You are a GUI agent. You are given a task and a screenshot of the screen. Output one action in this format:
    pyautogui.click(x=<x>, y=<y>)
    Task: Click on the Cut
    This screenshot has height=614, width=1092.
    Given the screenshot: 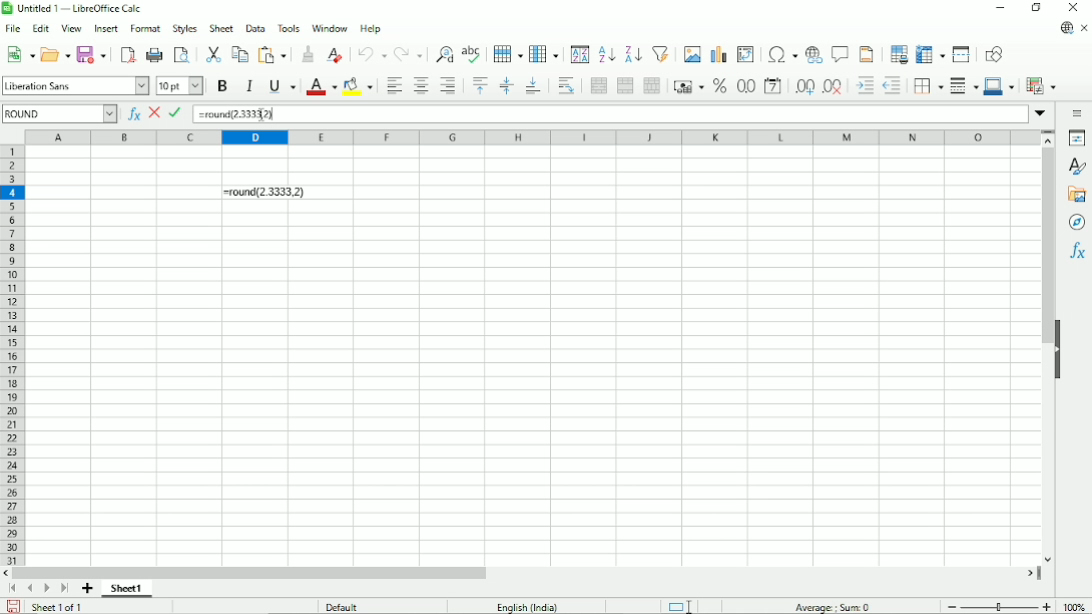 What is the action you would take?
    pyautogui.click(x=213, y=54)
    